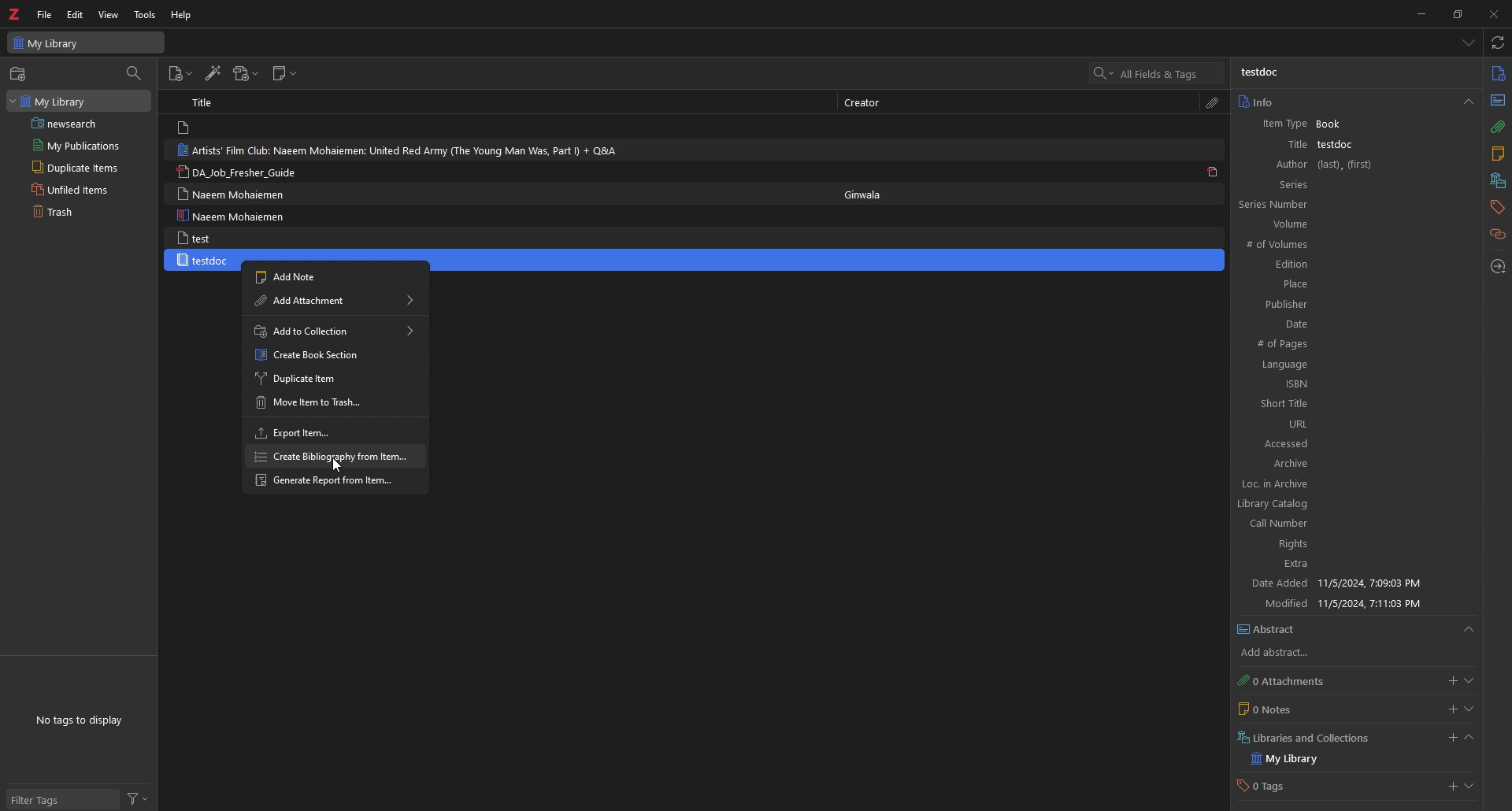  What do you see at coordinates (61, 801) in the screenshot?
I see `filter tags` at bounding box center [61, 801].